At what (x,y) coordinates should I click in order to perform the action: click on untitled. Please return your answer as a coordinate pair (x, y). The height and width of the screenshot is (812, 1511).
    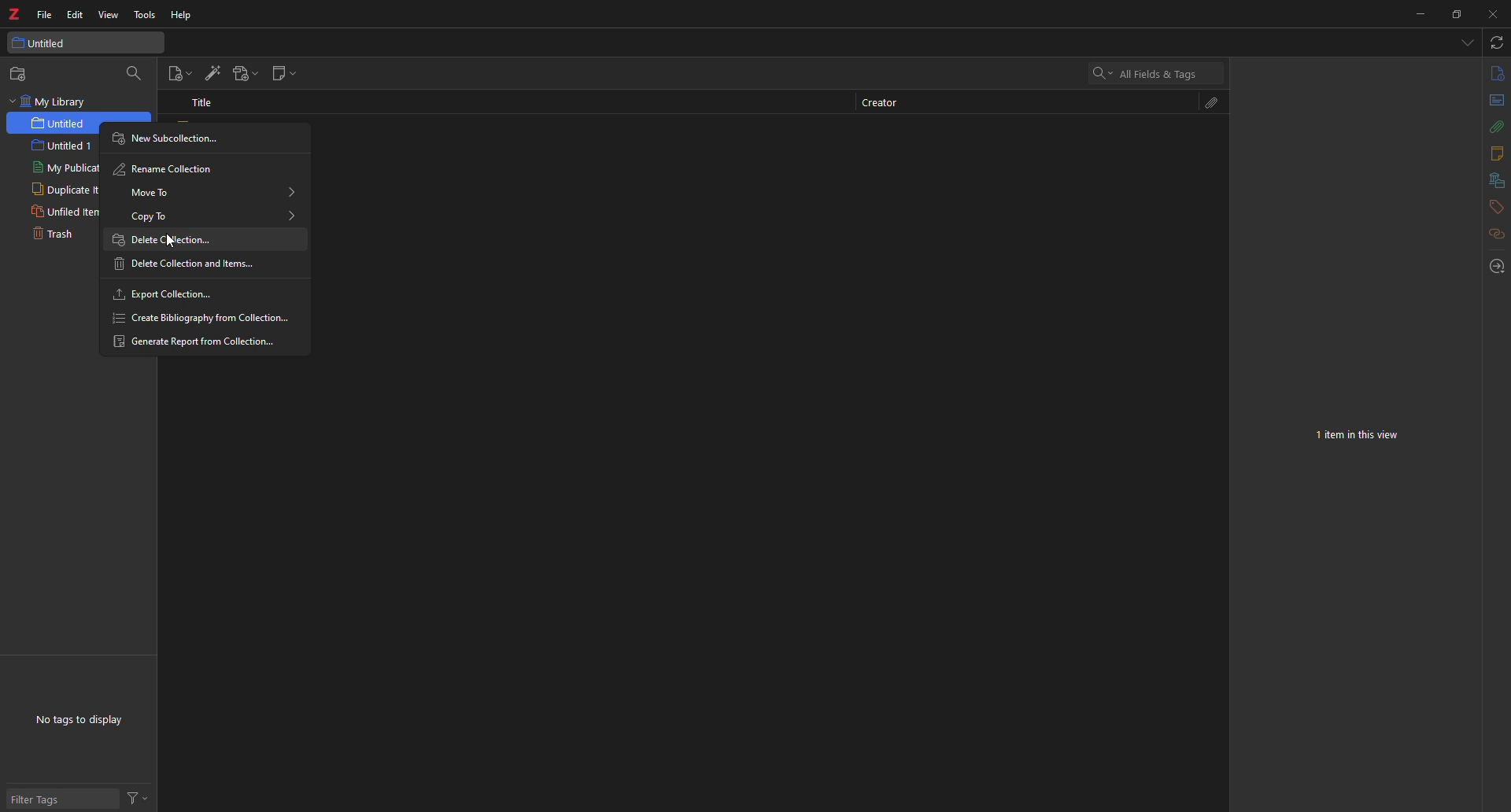
    Looking at the image, I should click on (39, 42).